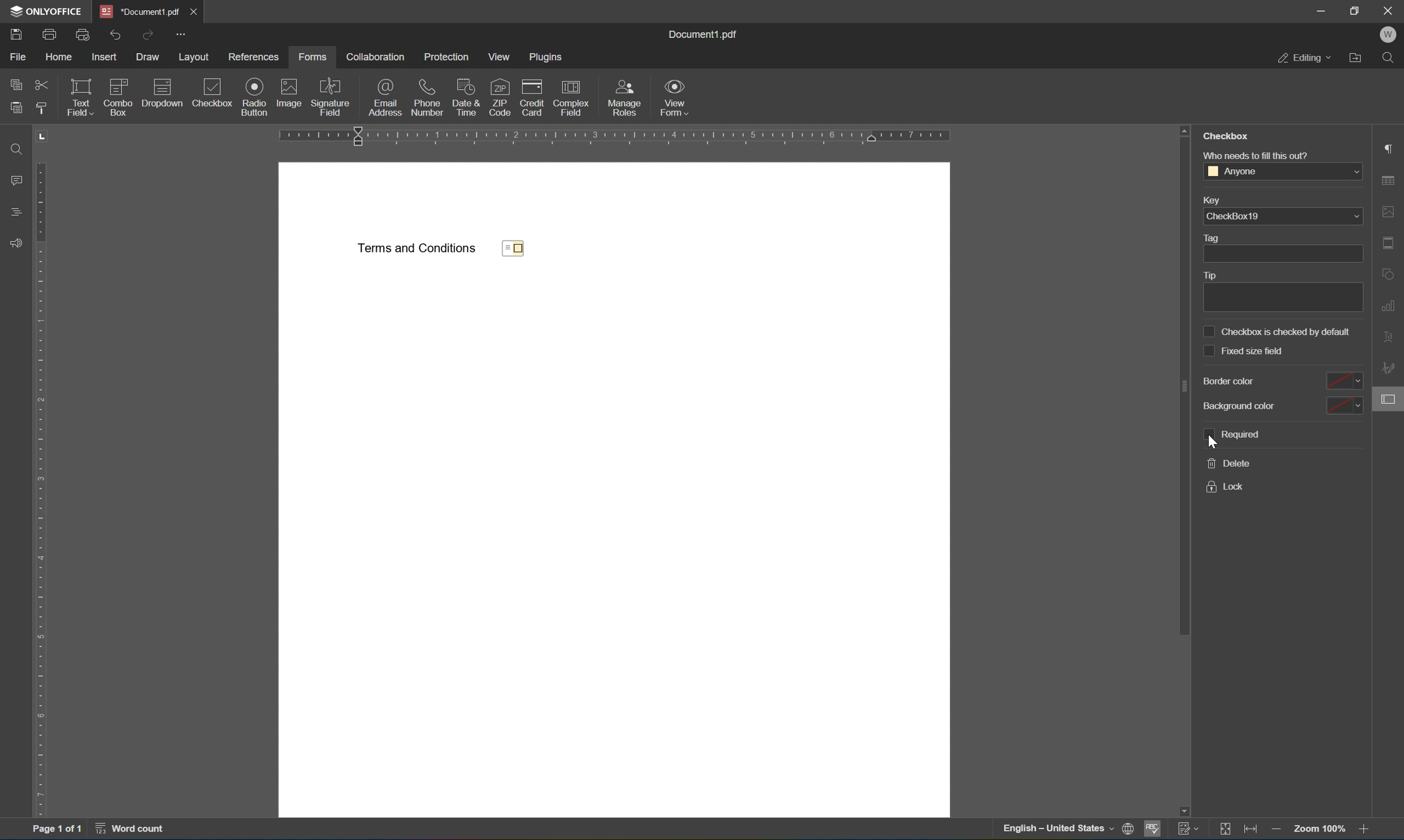 The image size is (1404, 840). What do you see at coordinates (1215, 444) in the screenshot?
I see `cursor` at bounding box center [1215, 444].